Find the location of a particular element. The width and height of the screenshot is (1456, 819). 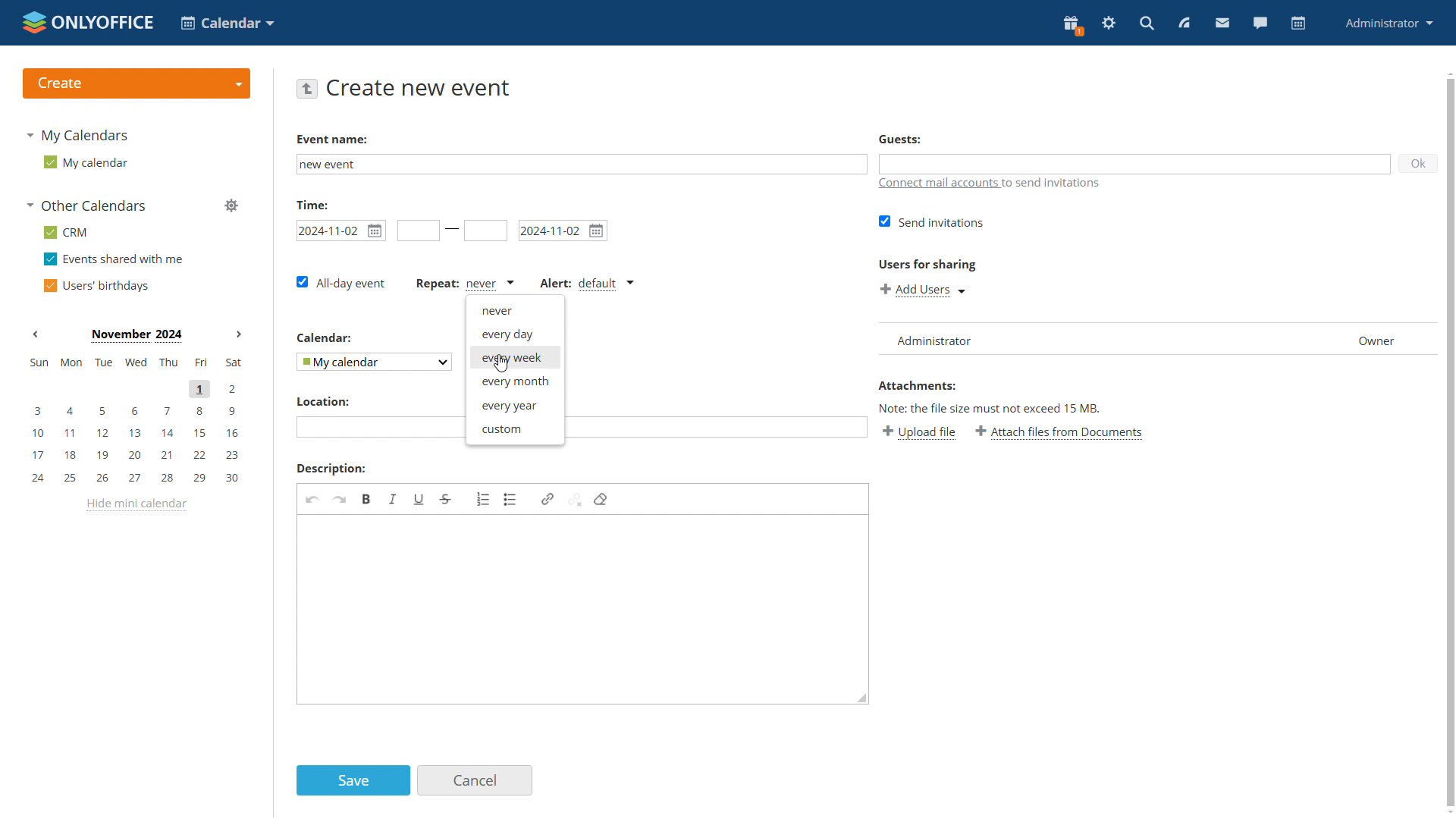

Location is located at coordinates (322, 402).